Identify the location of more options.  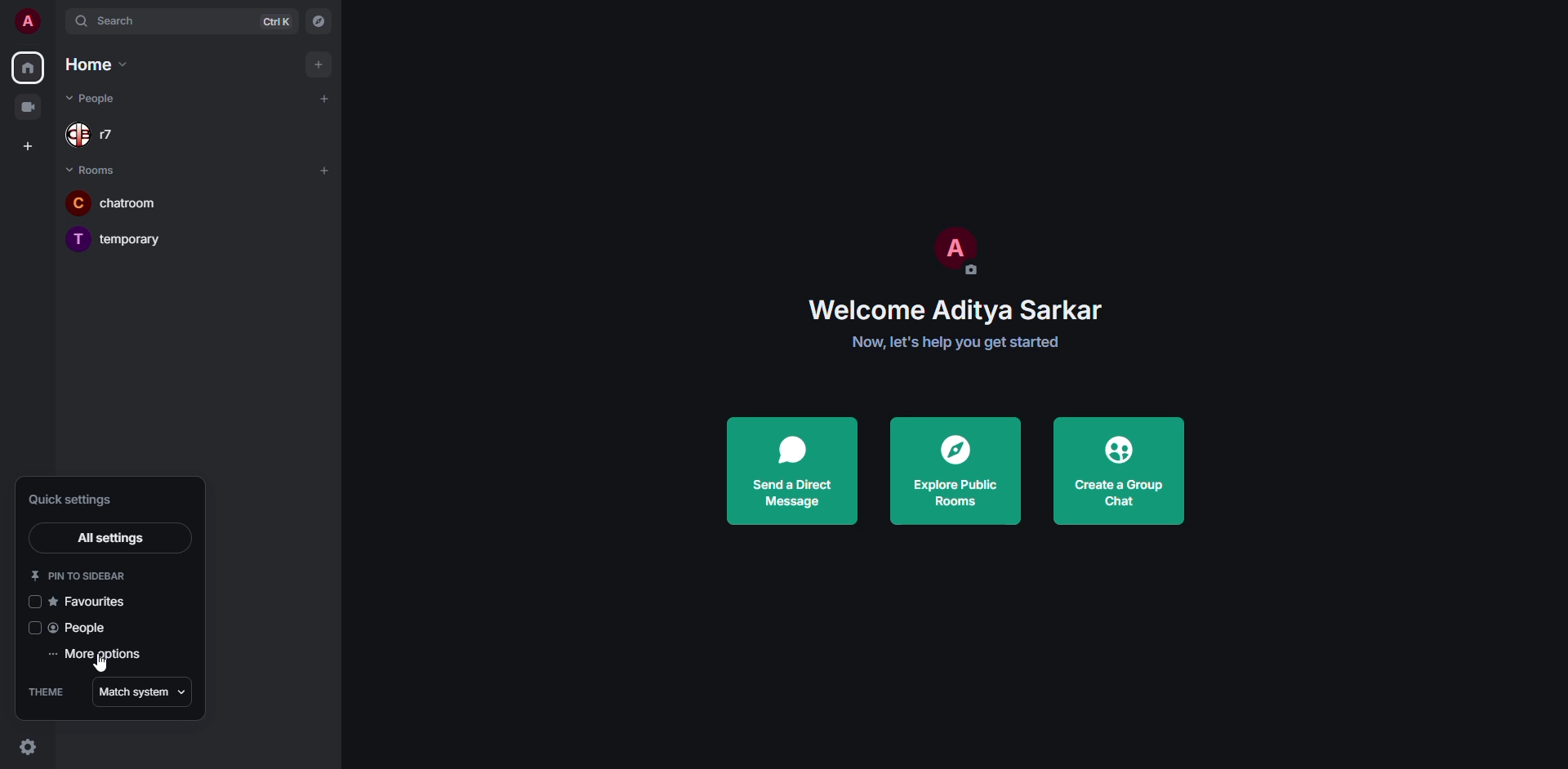
(99, 656).